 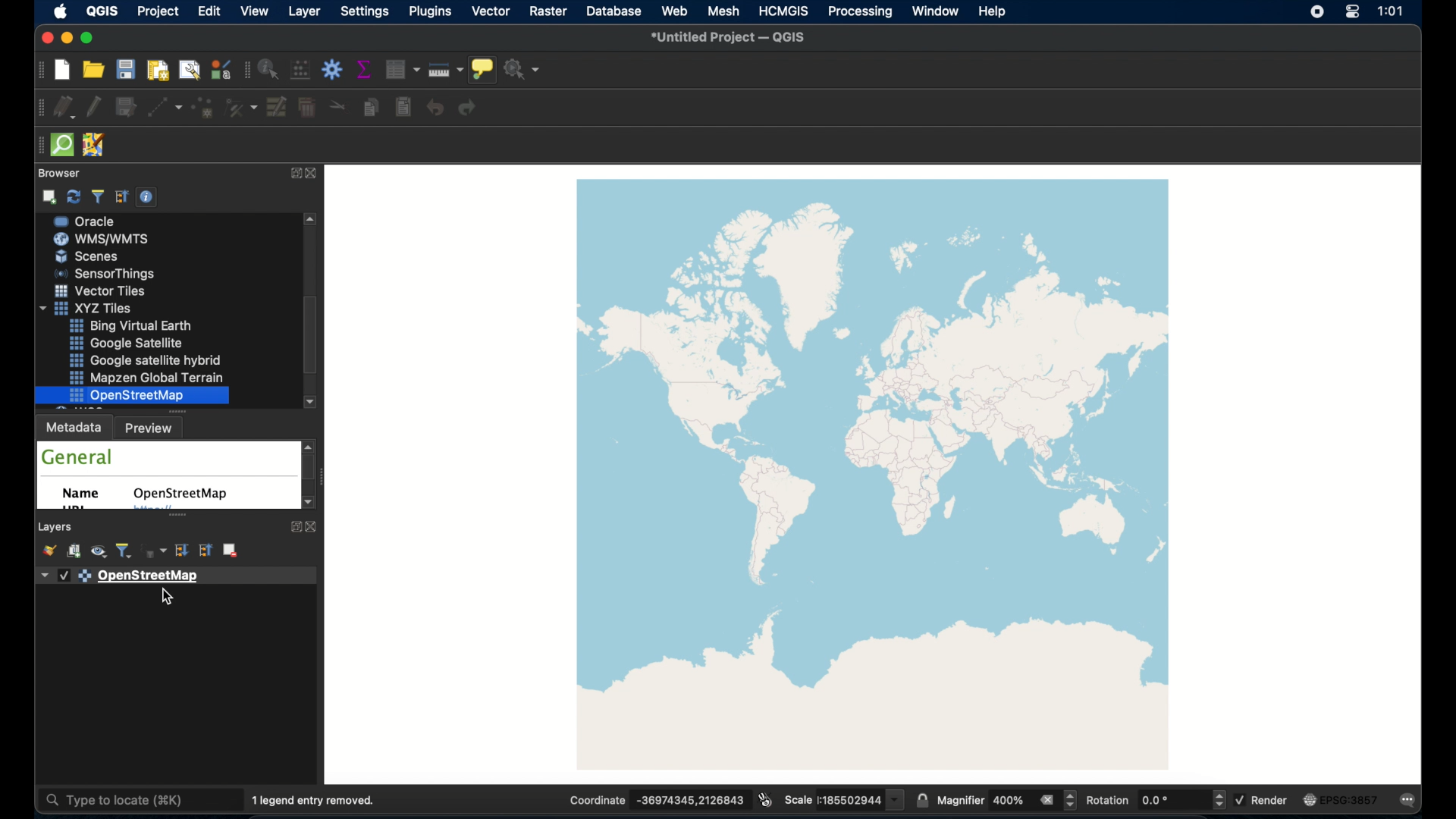 I want to click on project toolbar, so click(x=38, y=73).